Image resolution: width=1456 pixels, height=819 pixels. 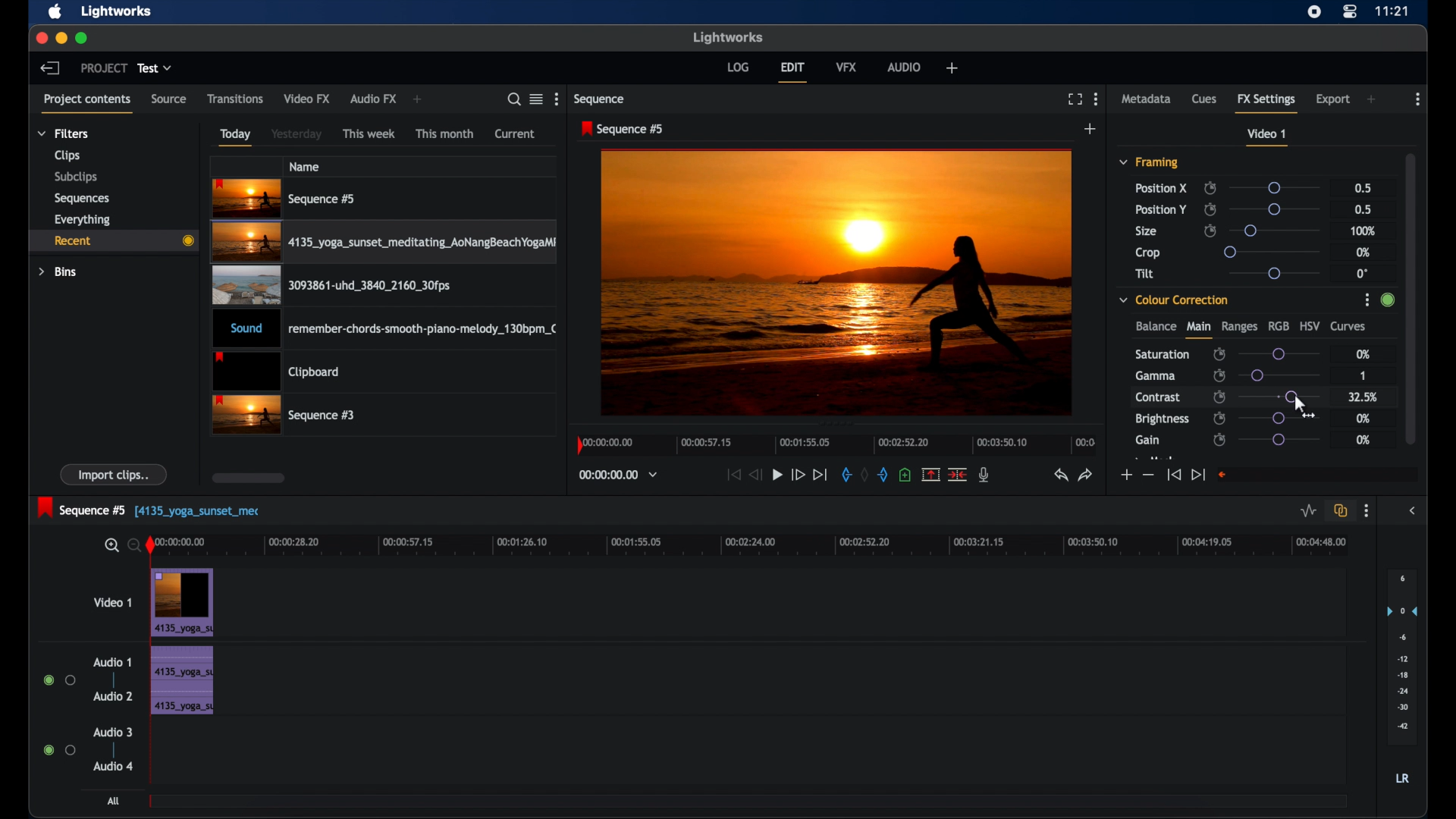 What do you see at coordinates (114, 602) in the screenshot?
I see `video 1` at bounding box center [114, 602].